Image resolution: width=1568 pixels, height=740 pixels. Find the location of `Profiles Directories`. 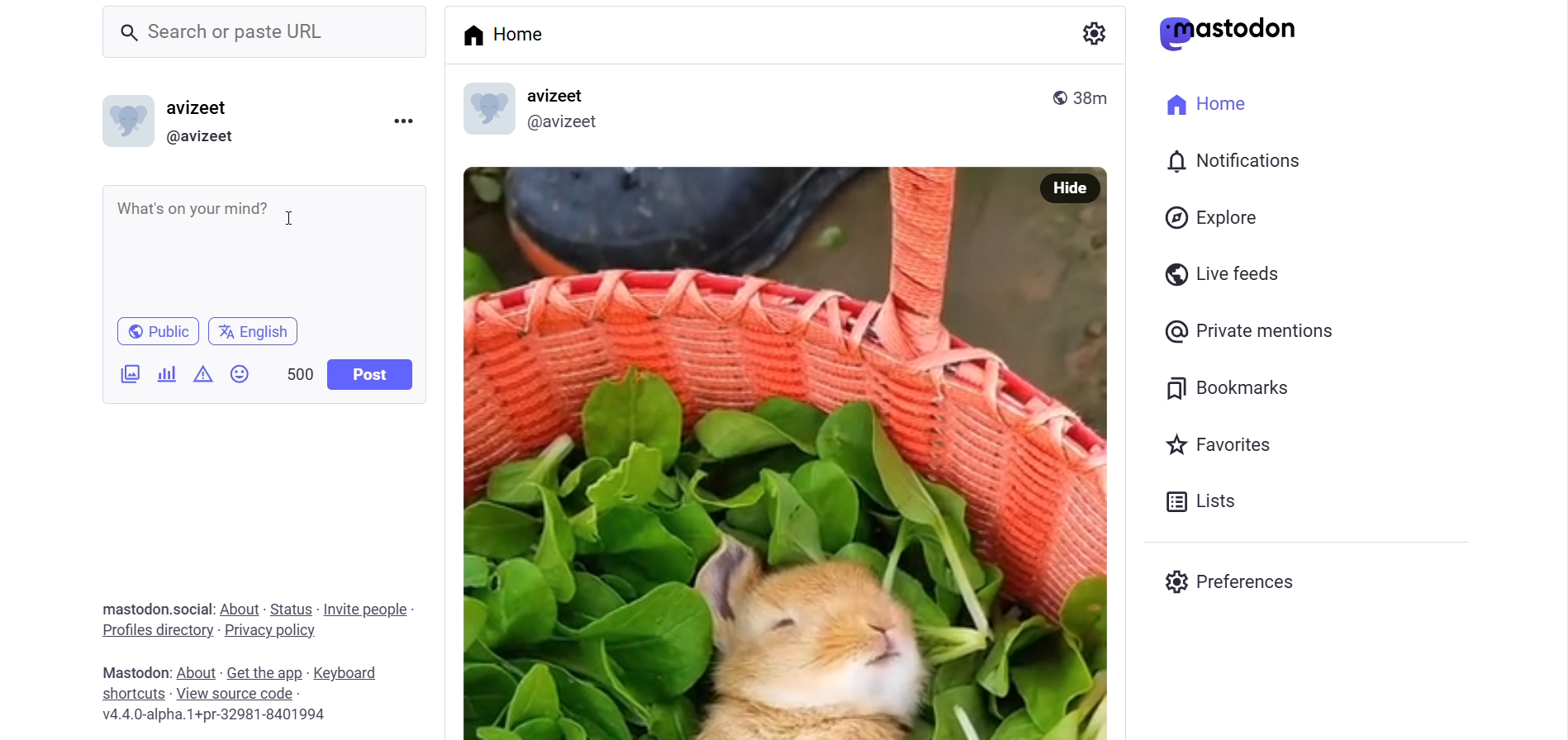

Profiles Directories is located at coordinates (157, 632).